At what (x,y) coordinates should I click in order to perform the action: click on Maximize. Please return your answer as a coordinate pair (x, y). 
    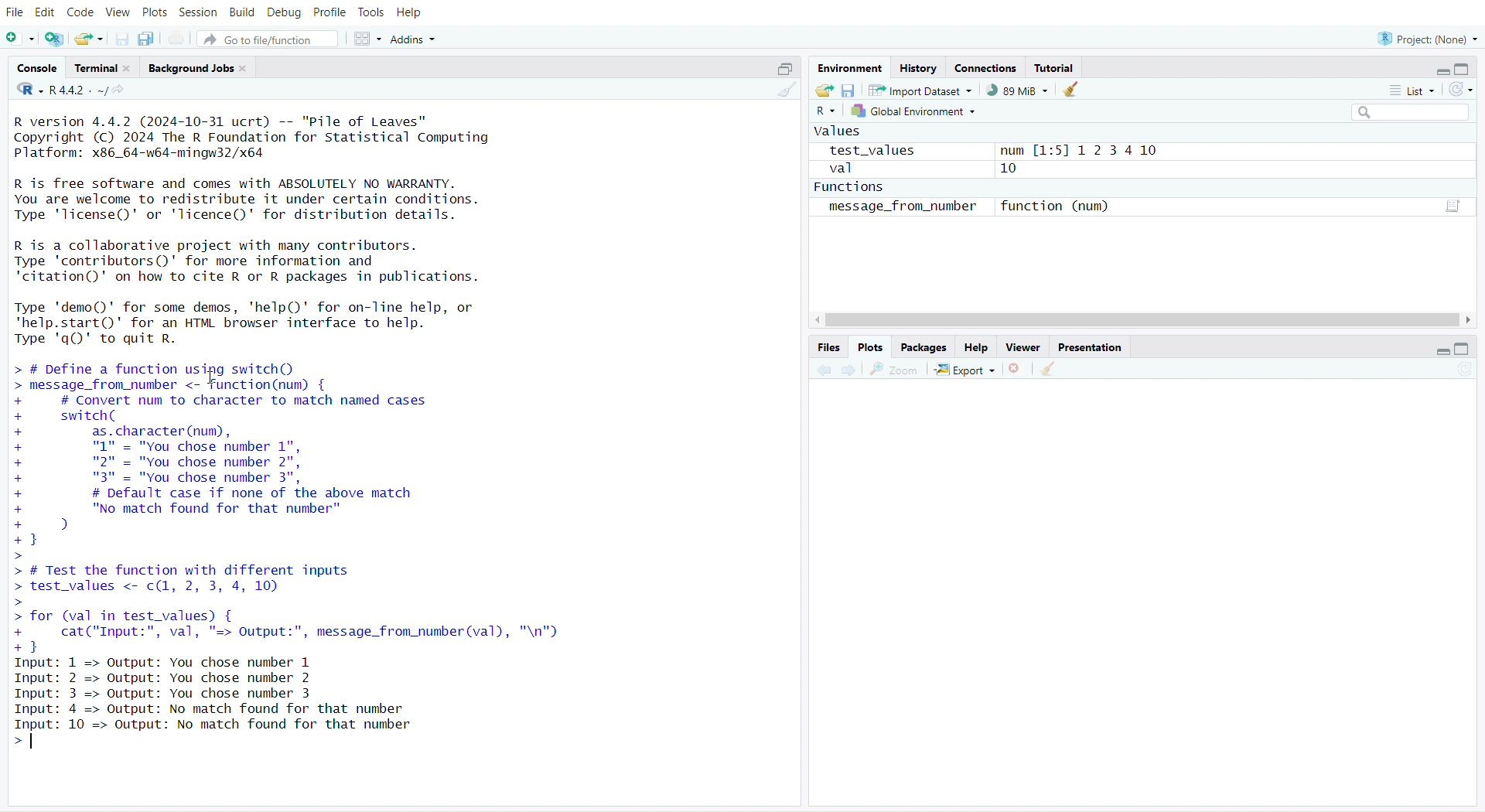
    Looking at the image, I should click on (780, 70).